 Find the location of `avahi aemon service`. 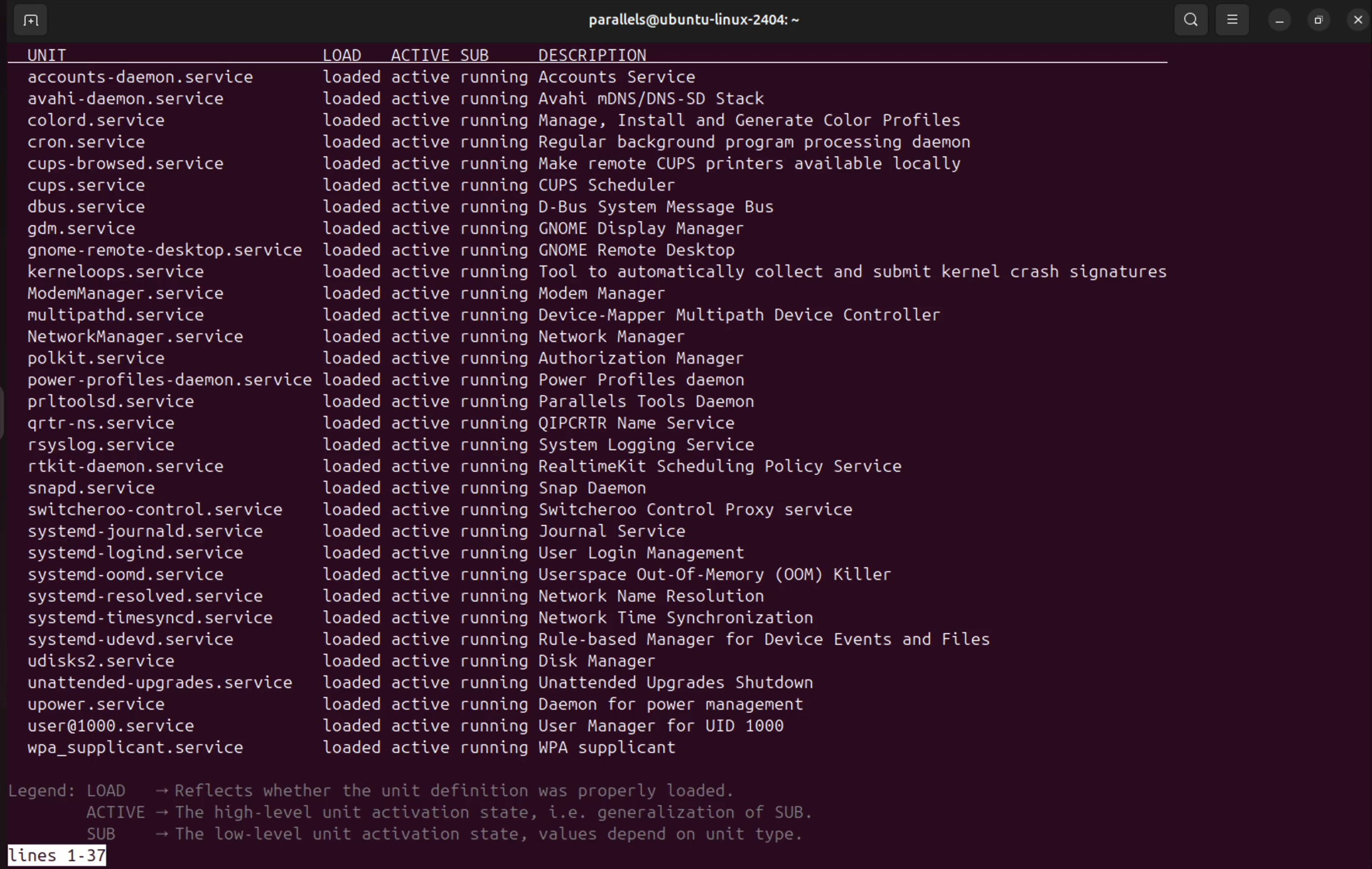

avahi aemon service is located at coordinates (125, 100).